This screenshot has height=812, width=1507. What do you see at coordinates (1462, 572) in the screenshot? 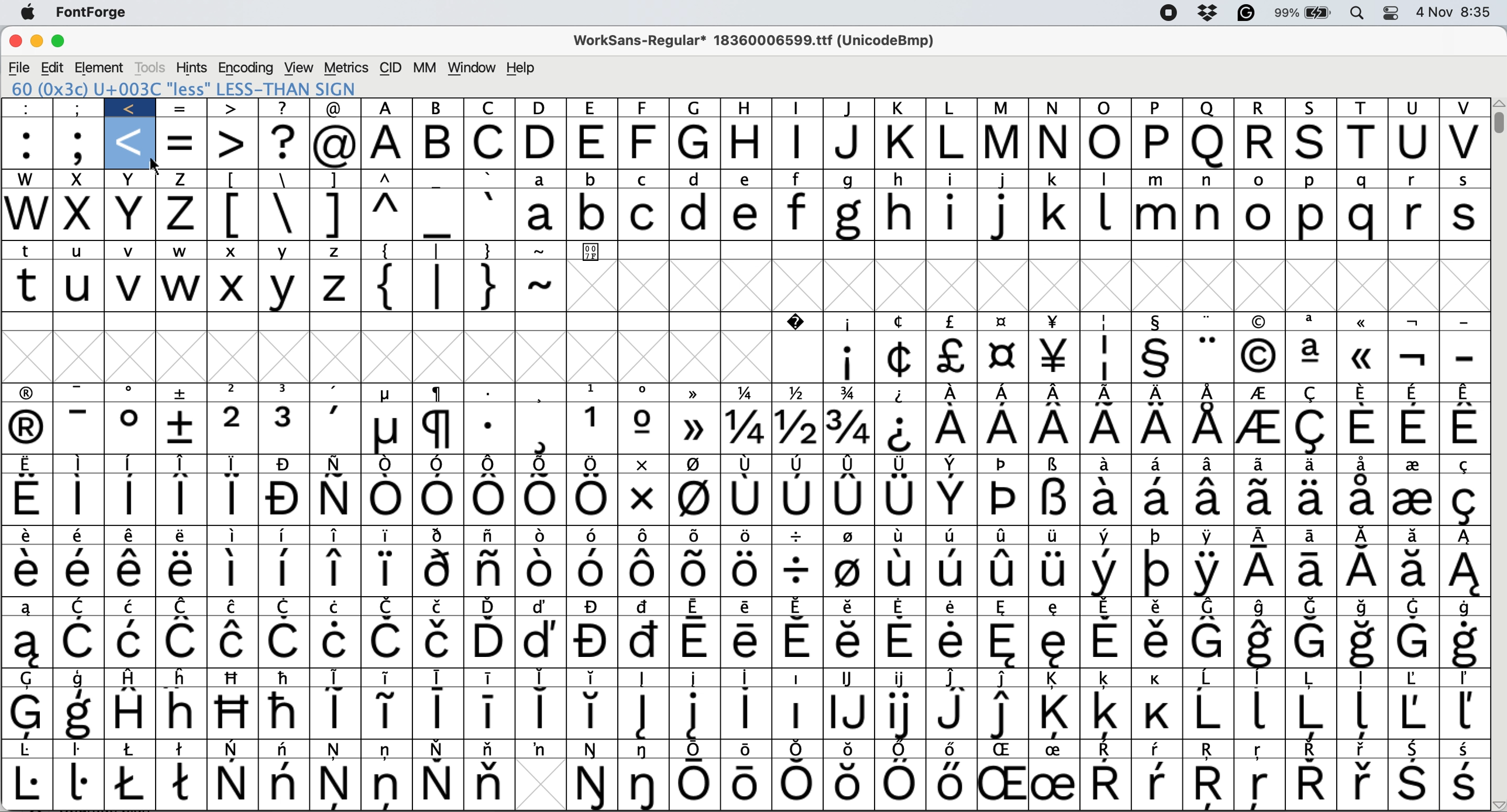
I see `Symbol` at bounding box center [1462, 572].